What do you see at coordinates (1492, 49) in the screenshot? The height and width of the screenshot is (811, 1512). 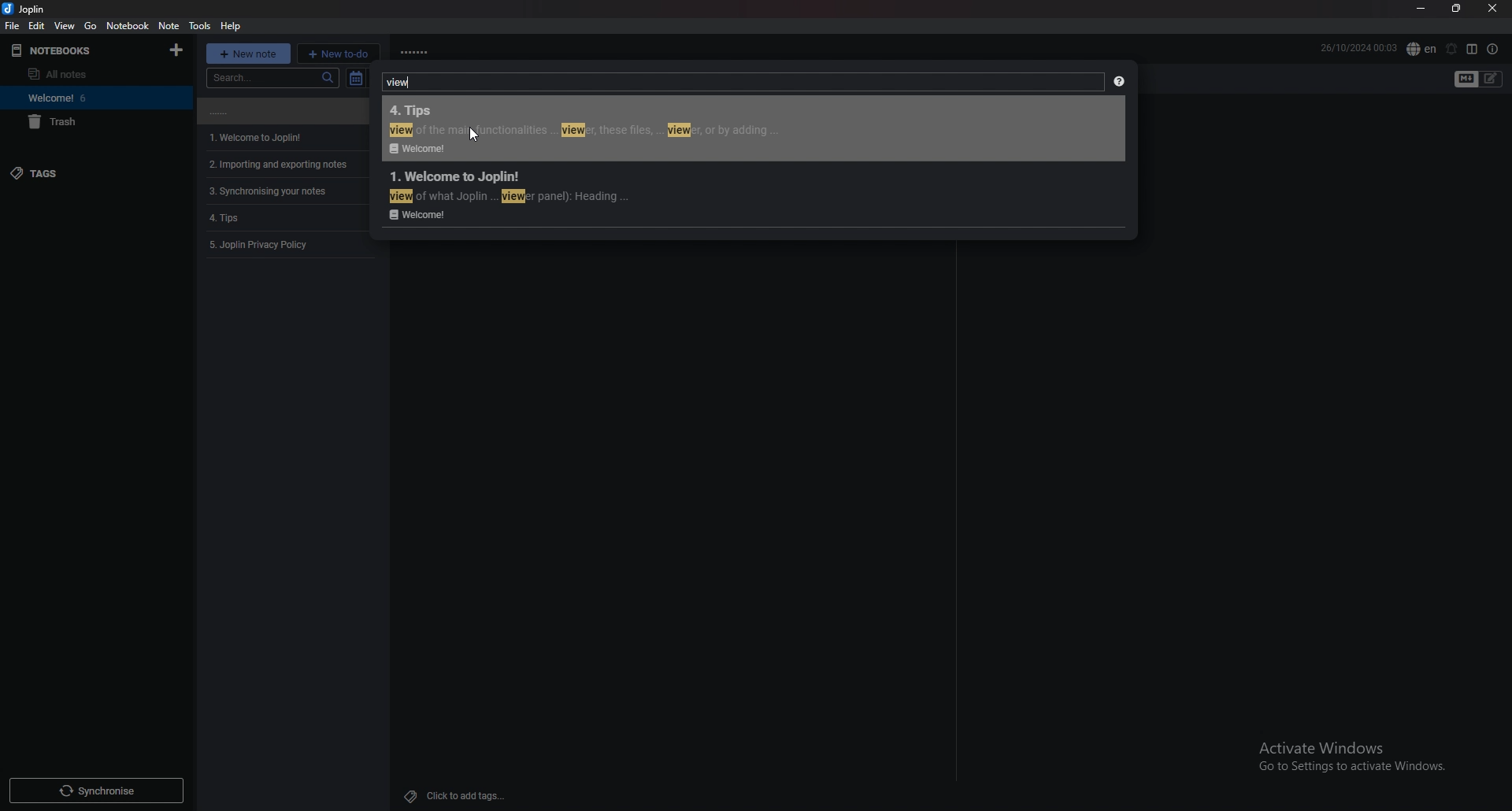 I see `note properties` at bounding box center [1492, 49].